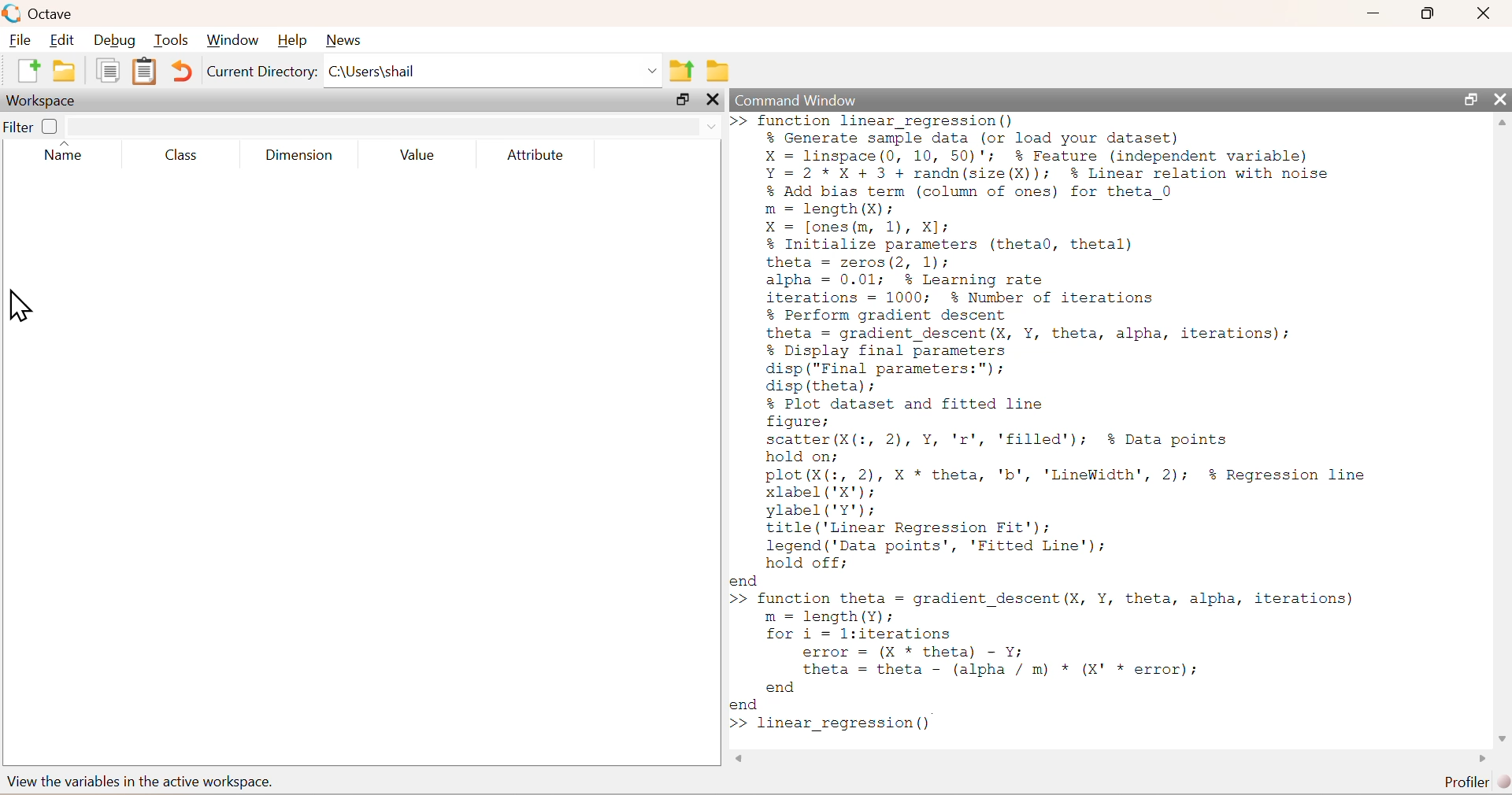 This screenshot has height=795, width=1512. What do you see at coordinates (65, 153) in the screenshot?
I see `Name` at bounding box center [65, 153].